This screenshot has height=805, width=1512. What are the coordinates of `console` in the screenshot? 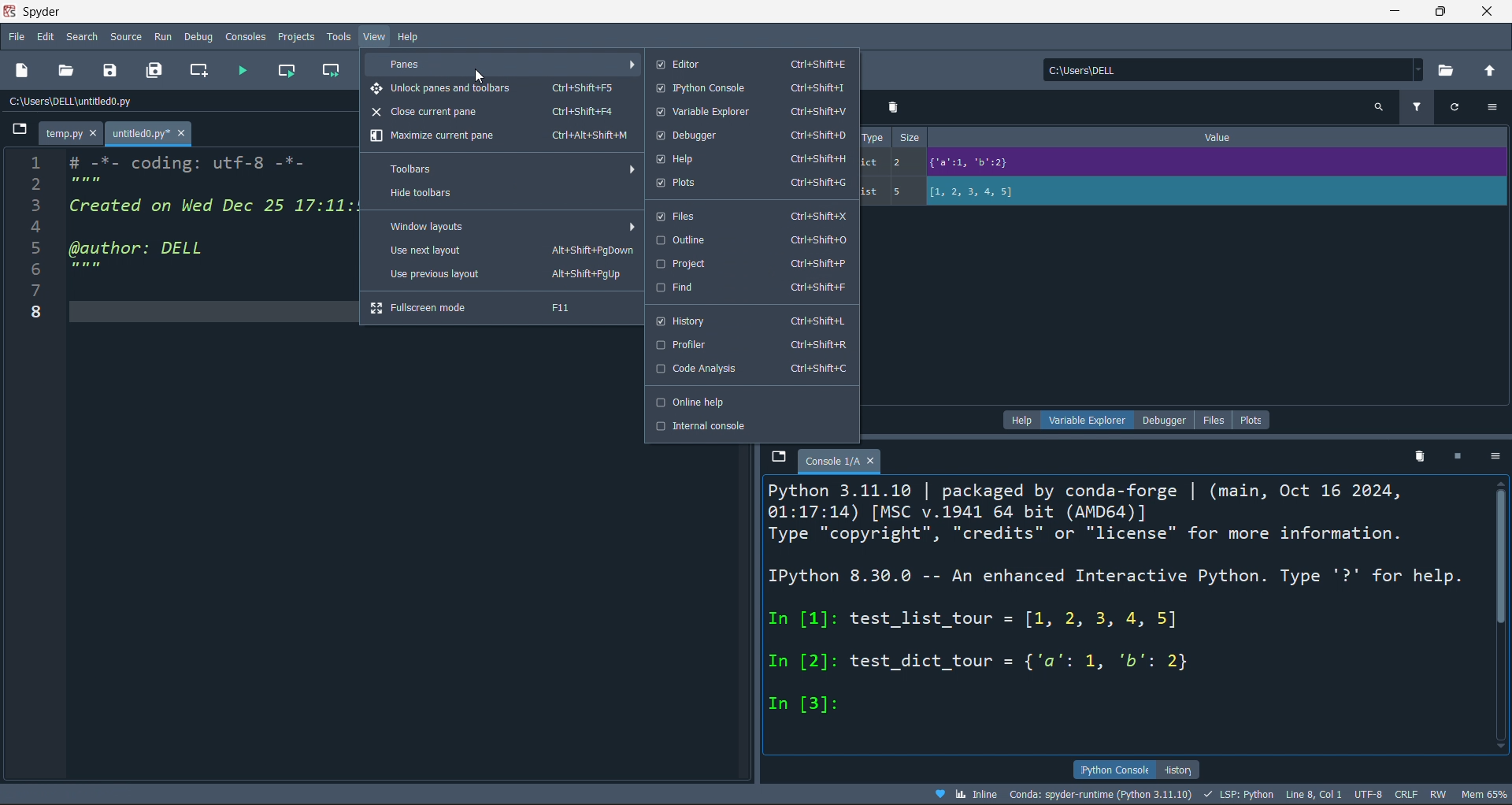 It's located at (246, 37).